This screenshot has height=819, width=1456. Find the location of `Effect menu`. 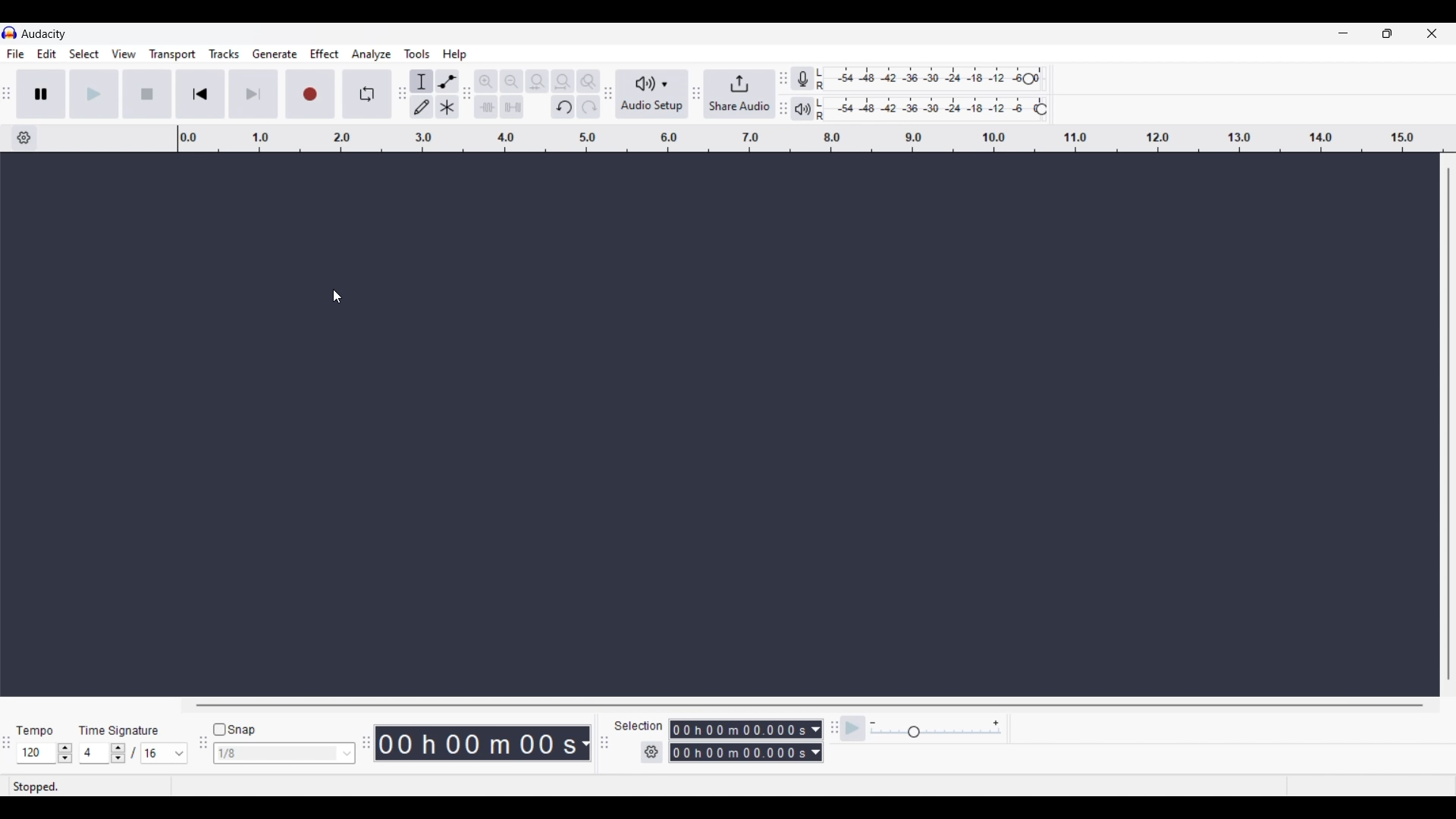

Effect menu is located at coordinates (325, 54).